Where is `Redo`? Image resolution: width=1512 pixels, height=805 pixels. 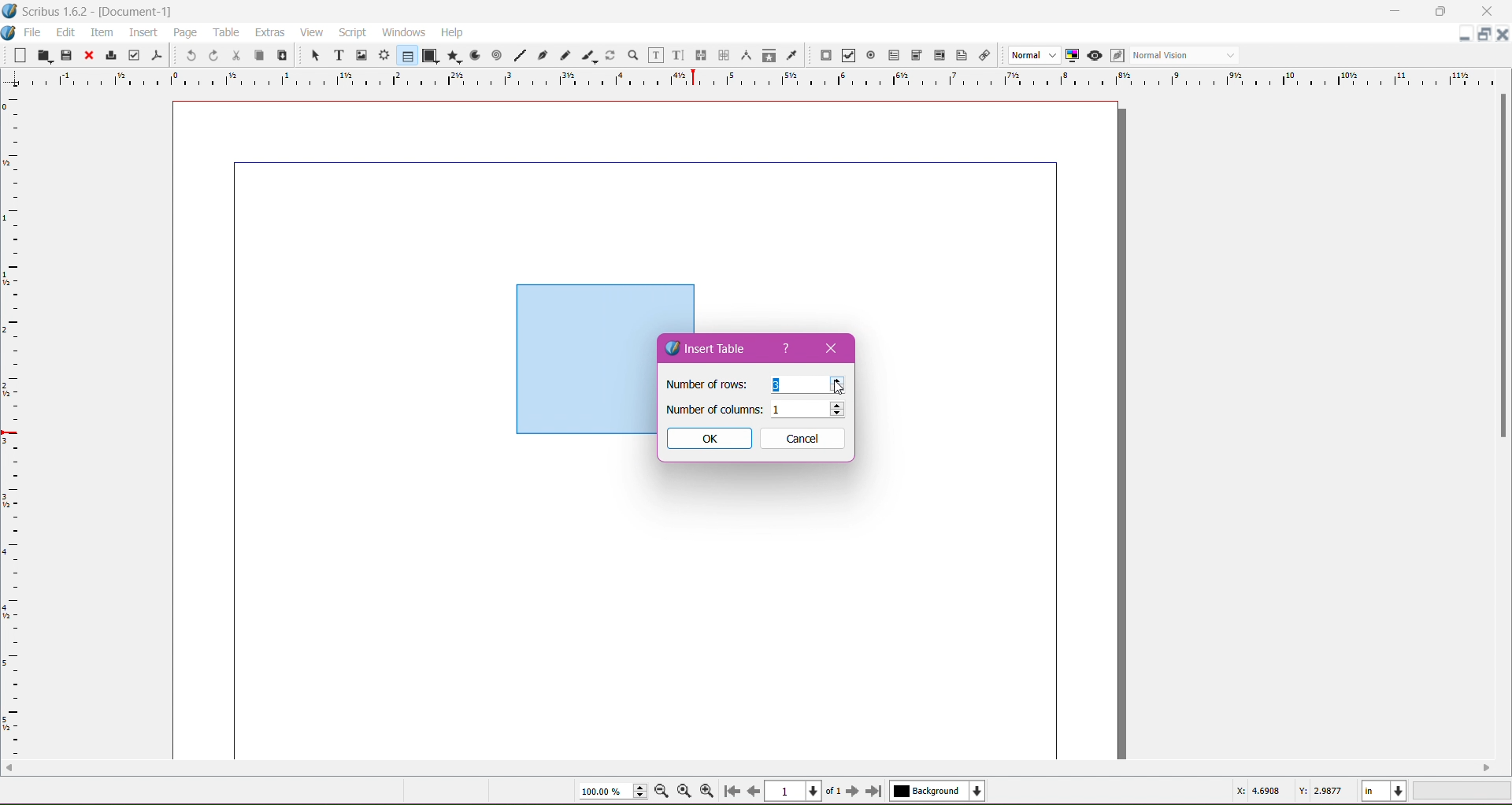
Redo is located at coordinates (211, 55).